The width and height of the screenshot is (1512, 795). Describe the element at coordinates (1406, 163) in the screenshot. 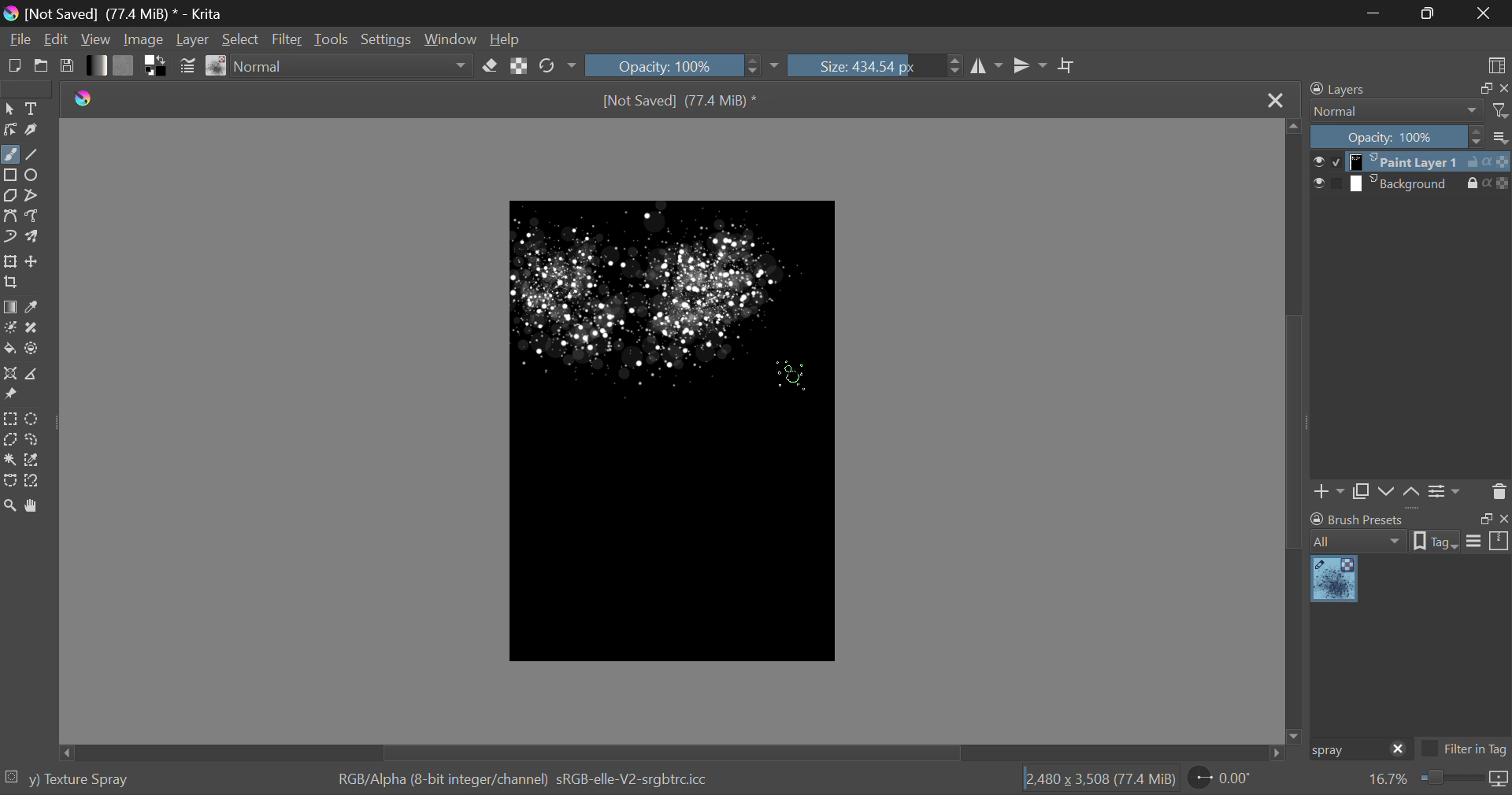

I see `layer 1` at that location.